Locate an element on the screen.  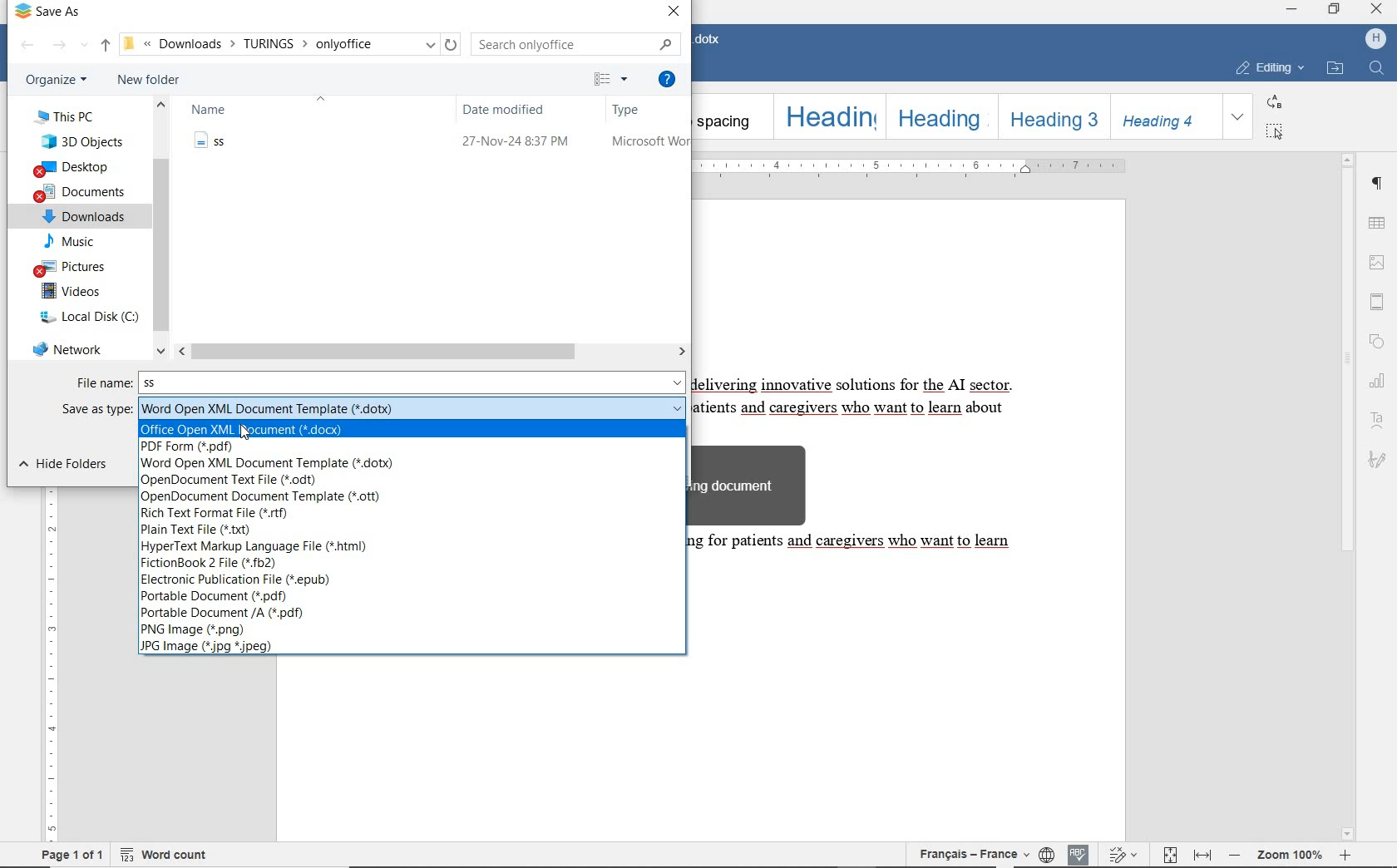
fit to width is located at coordinates (1205, 853).